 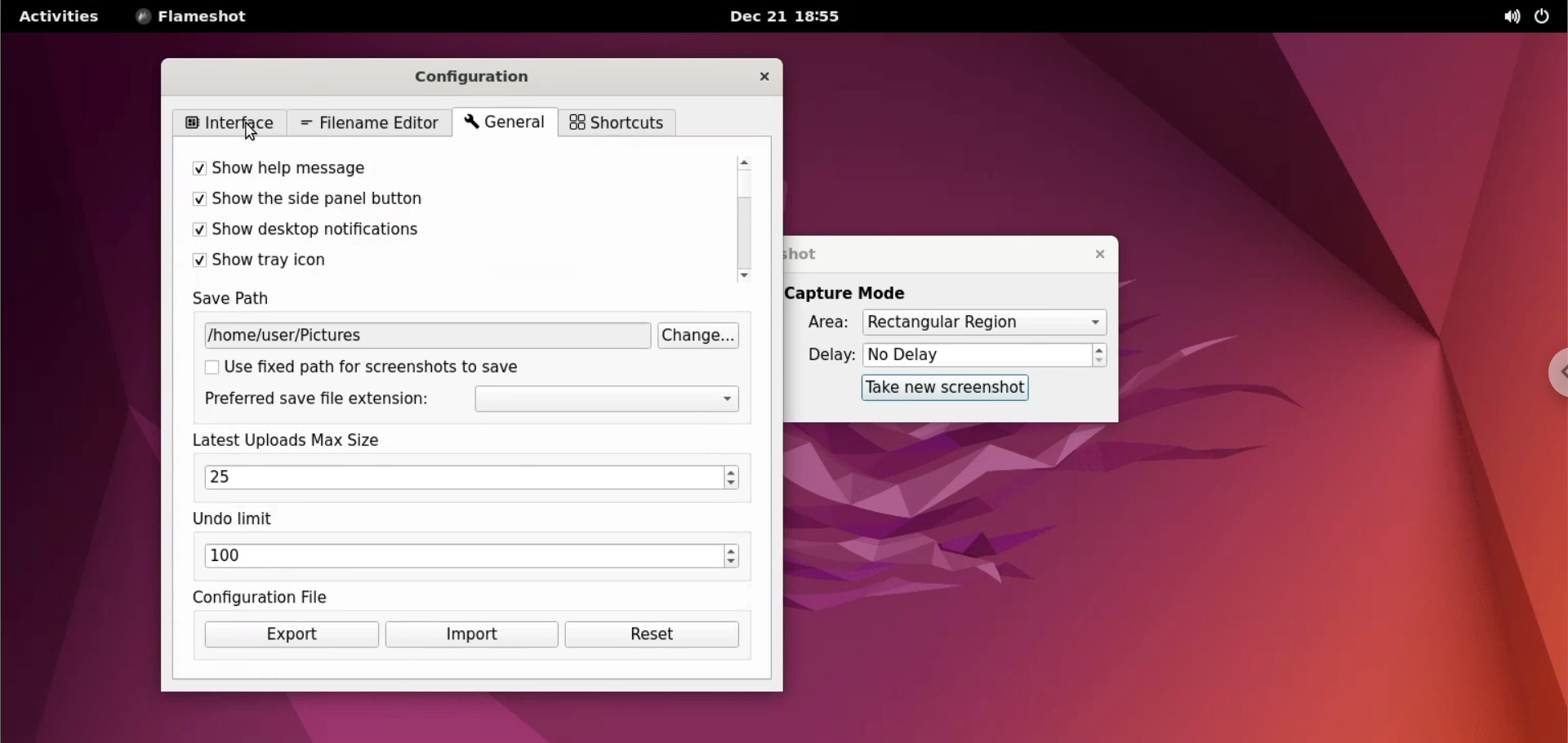 What do you see at coordinates (291, 635) in the screenshot?
I see `exports` at bounding box center [291, 635].